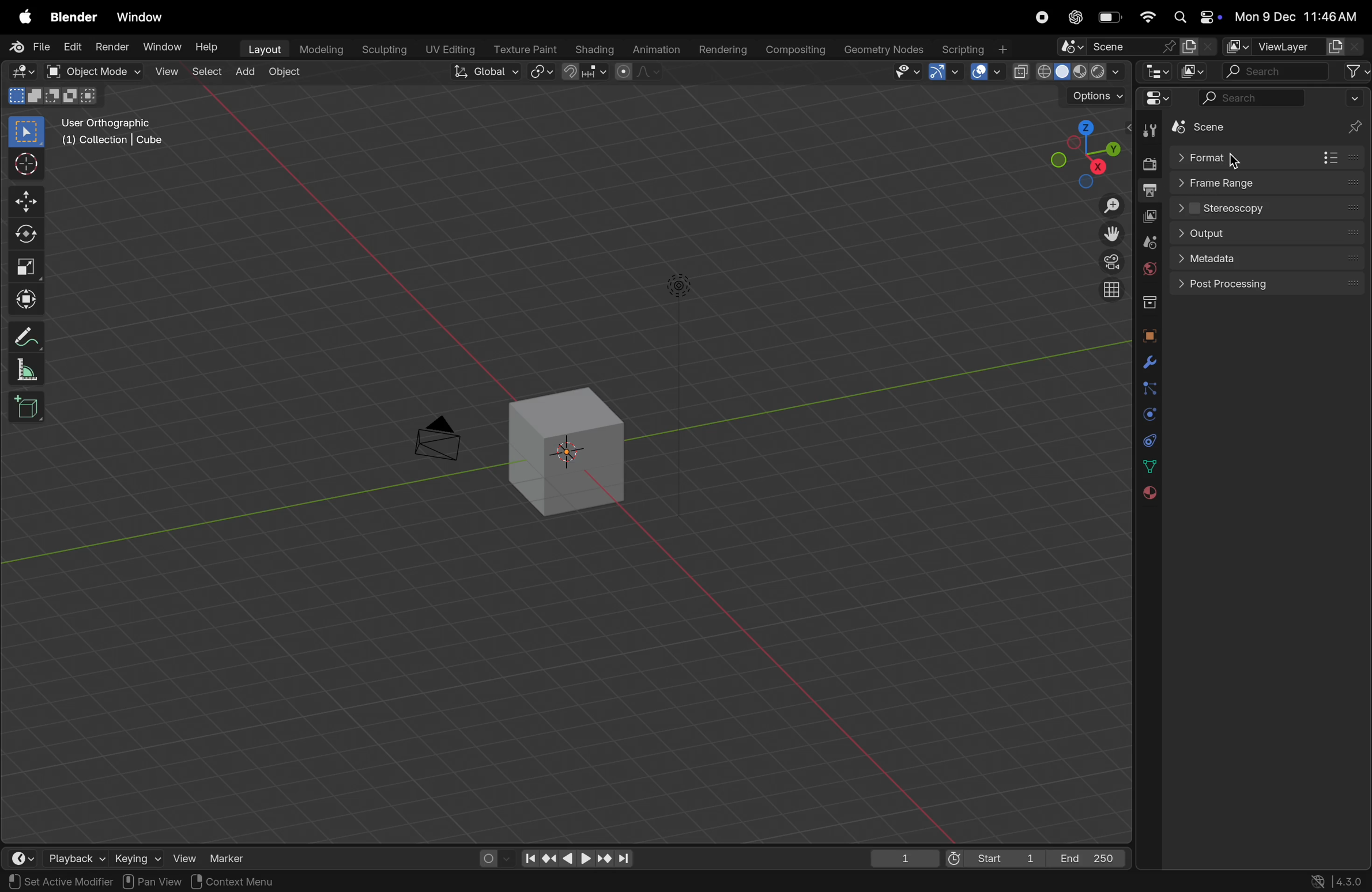 The height and width of the screenshot is (892, 1372). Describe the element at coordinates (1238, 157) in the screenshot. I see `cursor` at that location.